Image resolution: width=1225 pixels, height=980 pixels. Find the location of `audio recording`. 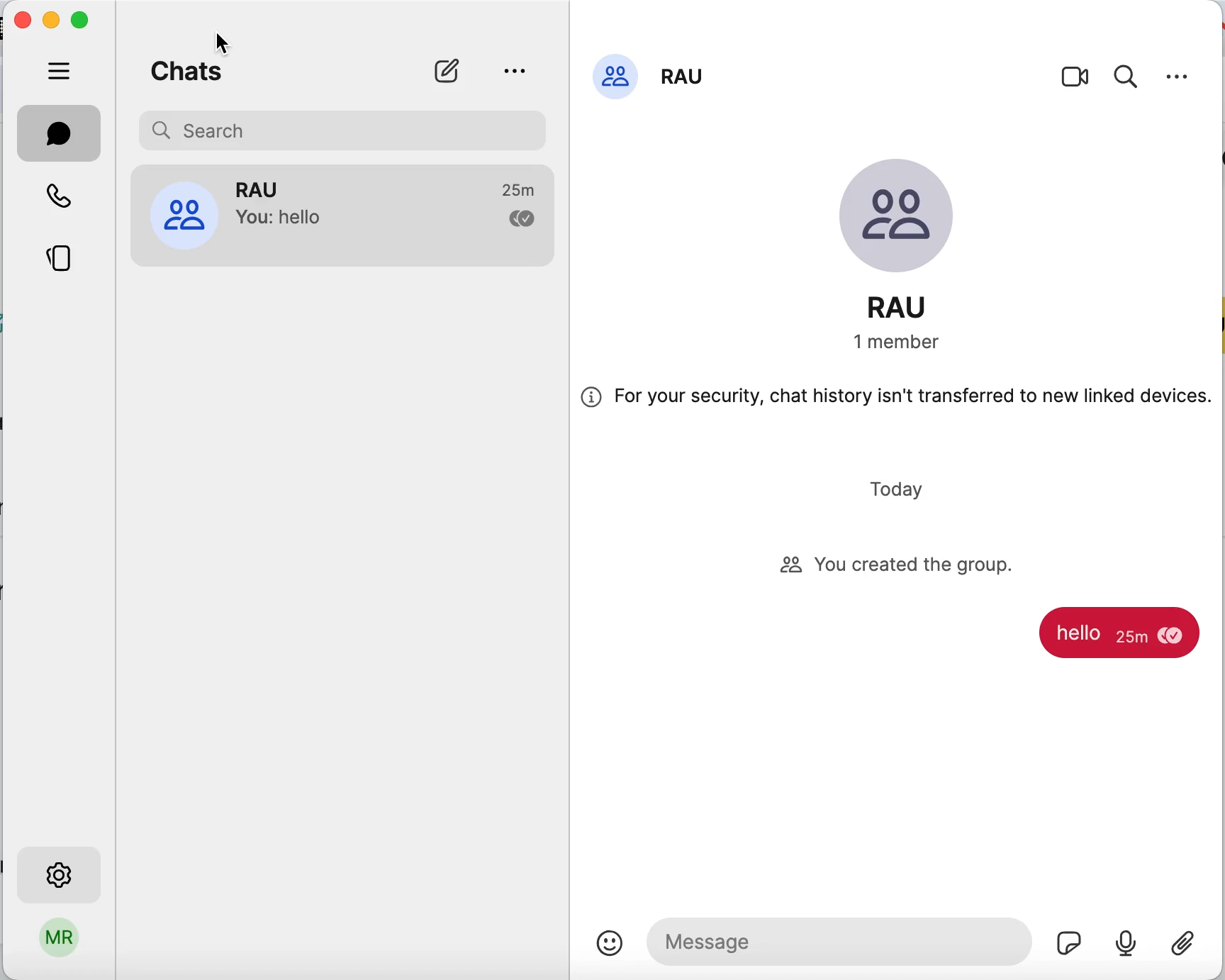

audio recording is located at coordinates (1126, 947).